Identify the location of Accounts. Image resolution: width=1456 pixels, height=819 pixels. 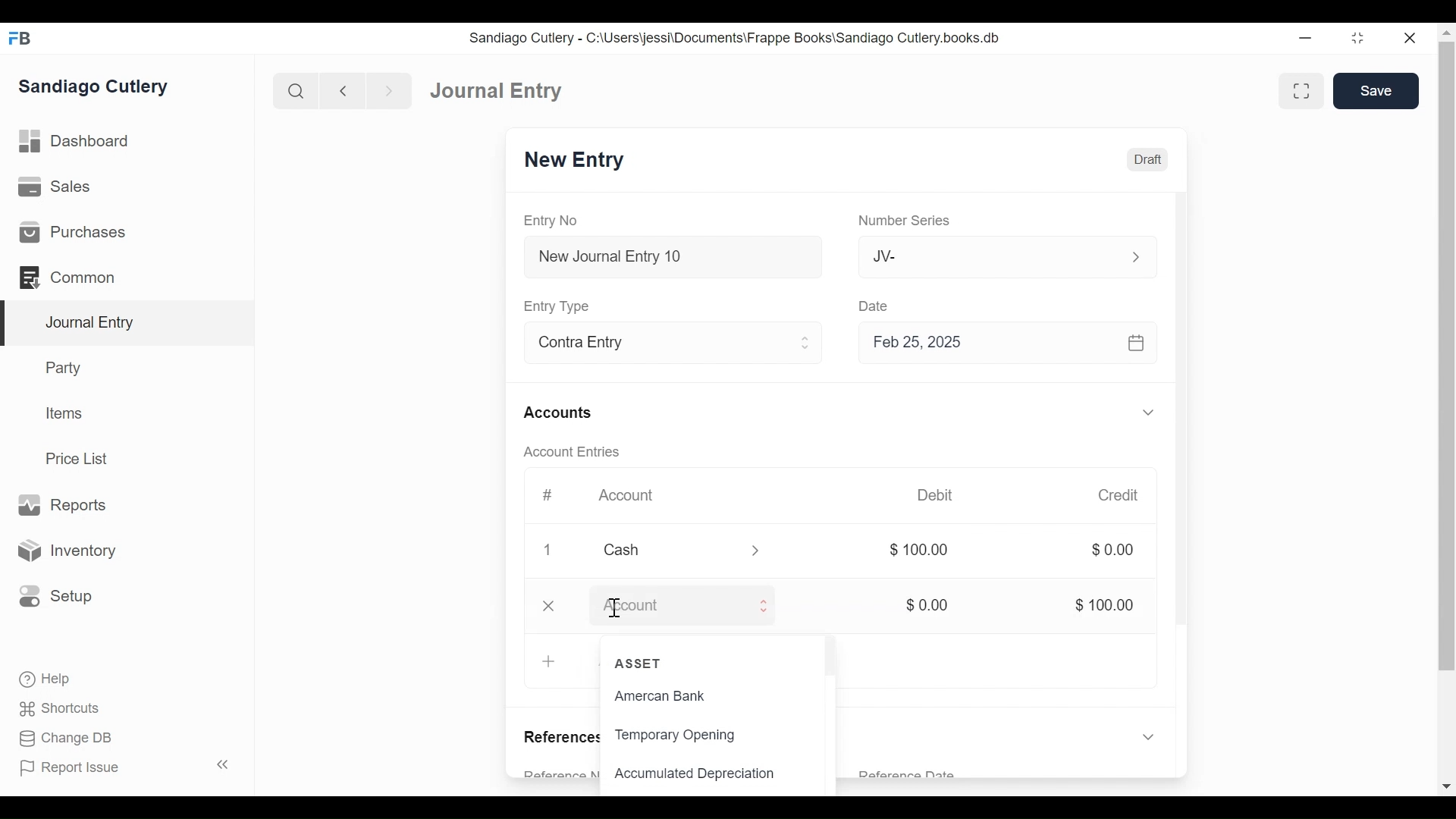
(560, 413).